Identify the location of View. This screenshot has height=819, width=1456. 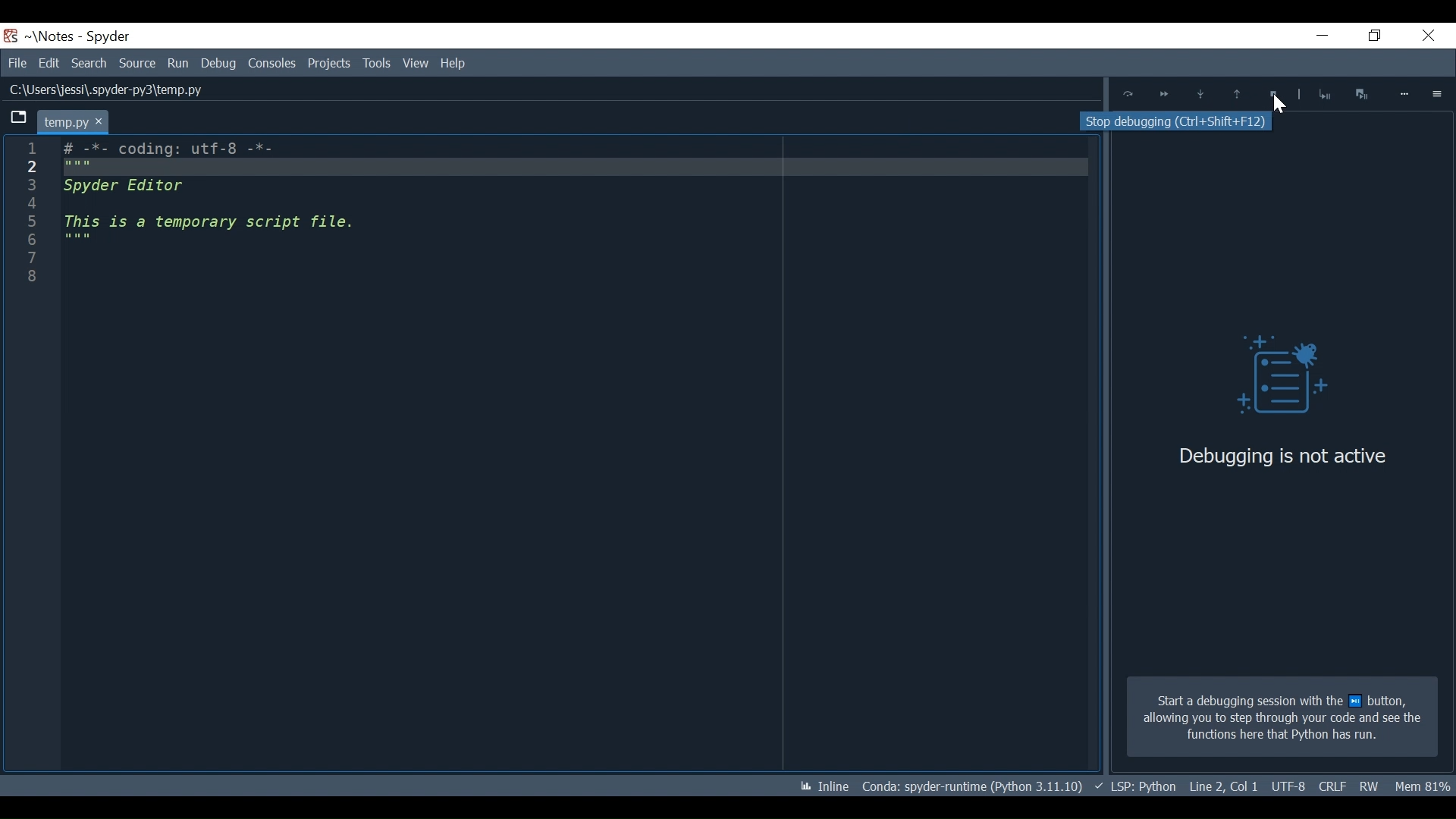
(376, 63).